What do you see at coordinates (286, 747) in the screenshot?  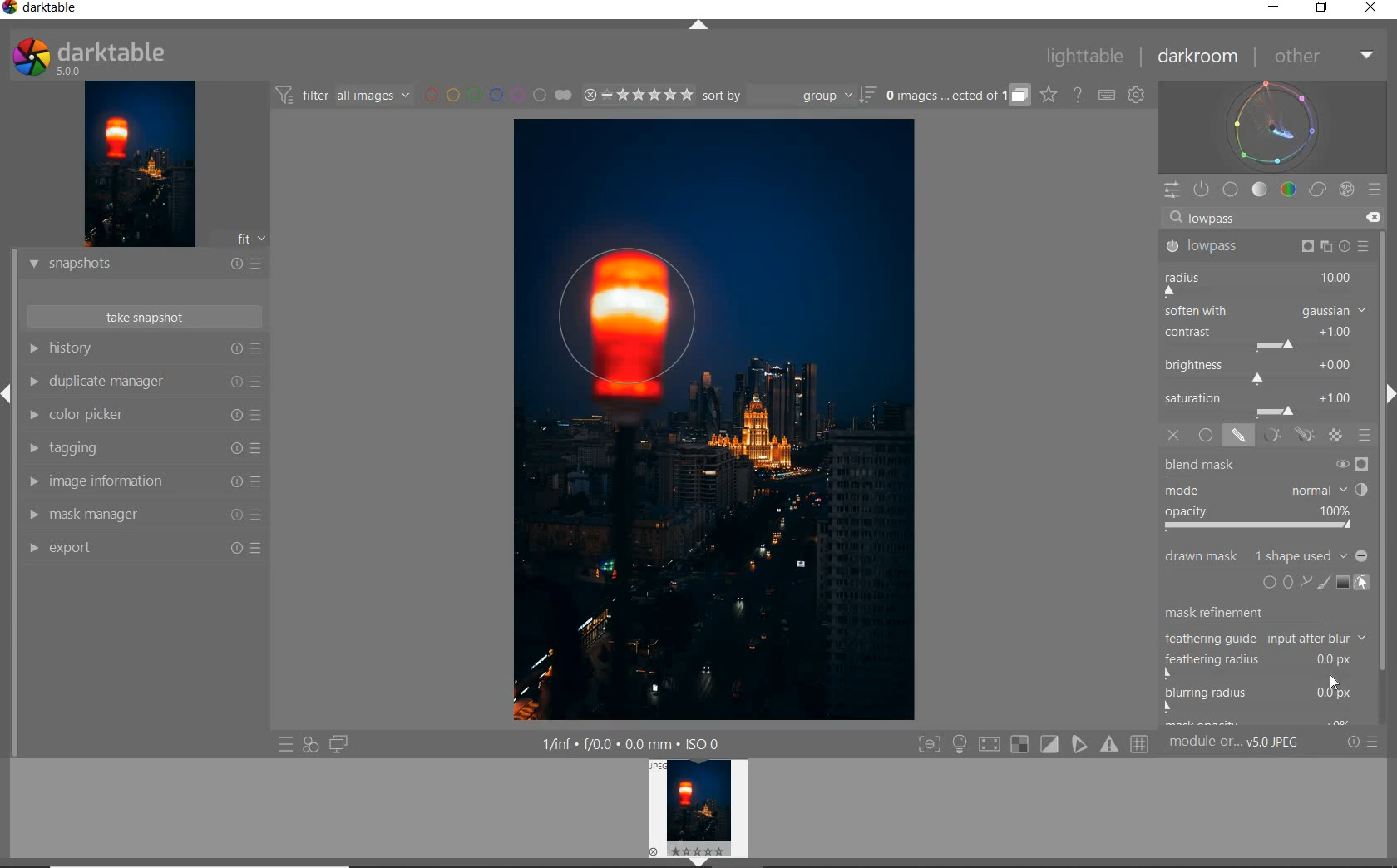 I see `QUICK ACCESS TO PRESET` at bounding box center [286, 747].